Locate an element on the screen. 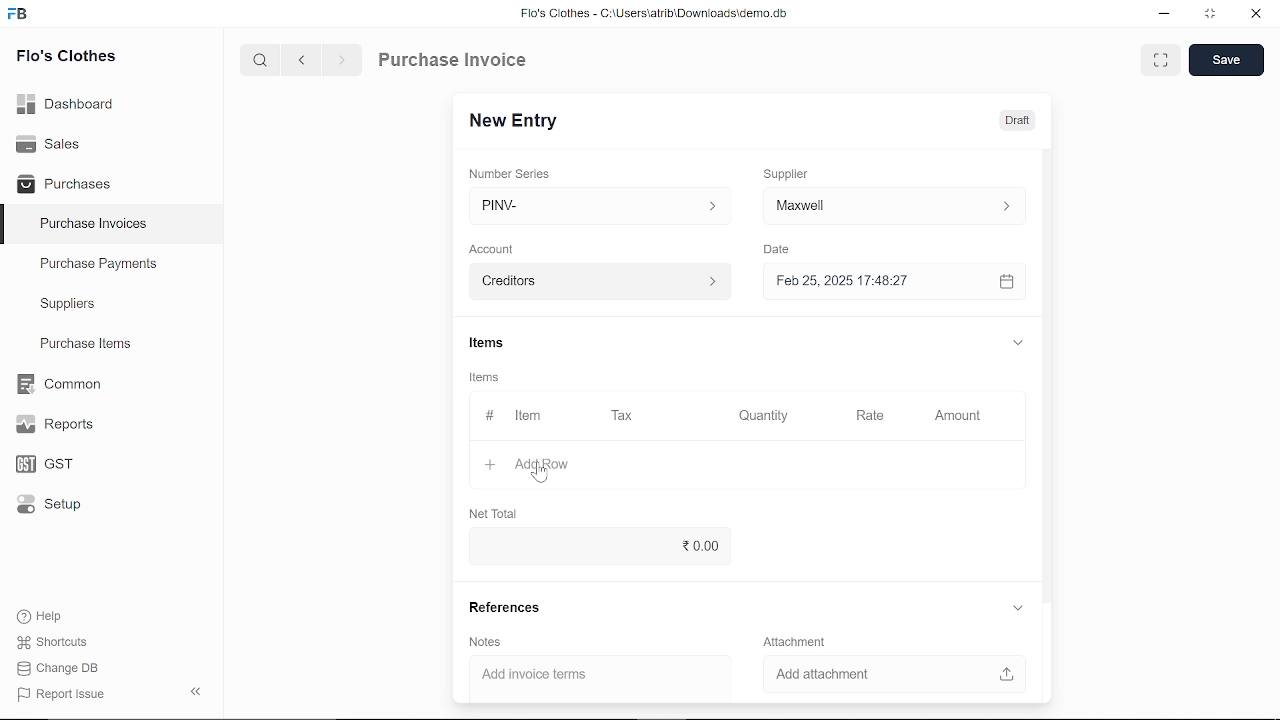  Draft is located at coordinates (1017, 121).